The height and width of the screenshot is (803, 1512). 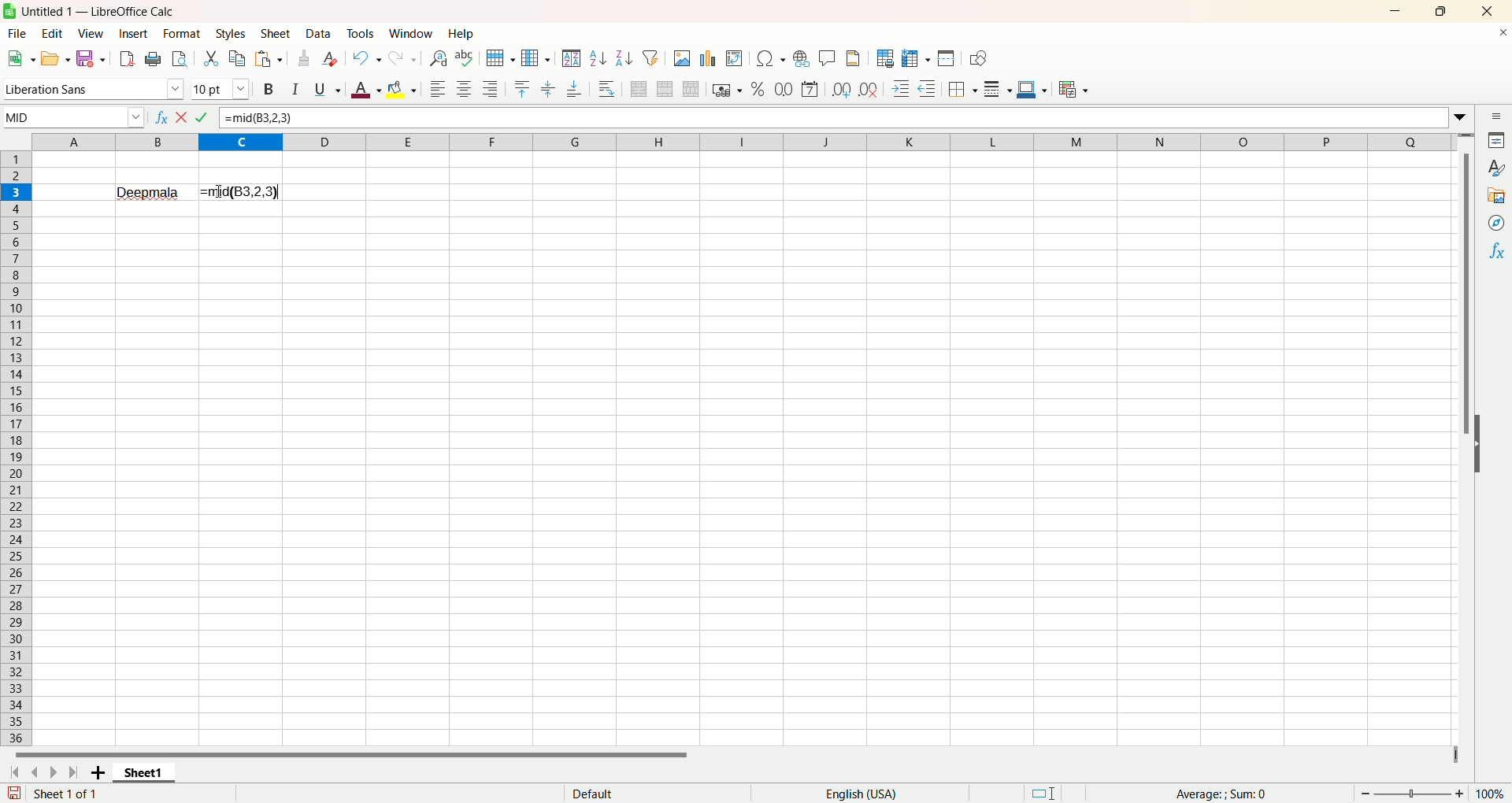 I want to click on Minimize, so click(x=1402, y=9).